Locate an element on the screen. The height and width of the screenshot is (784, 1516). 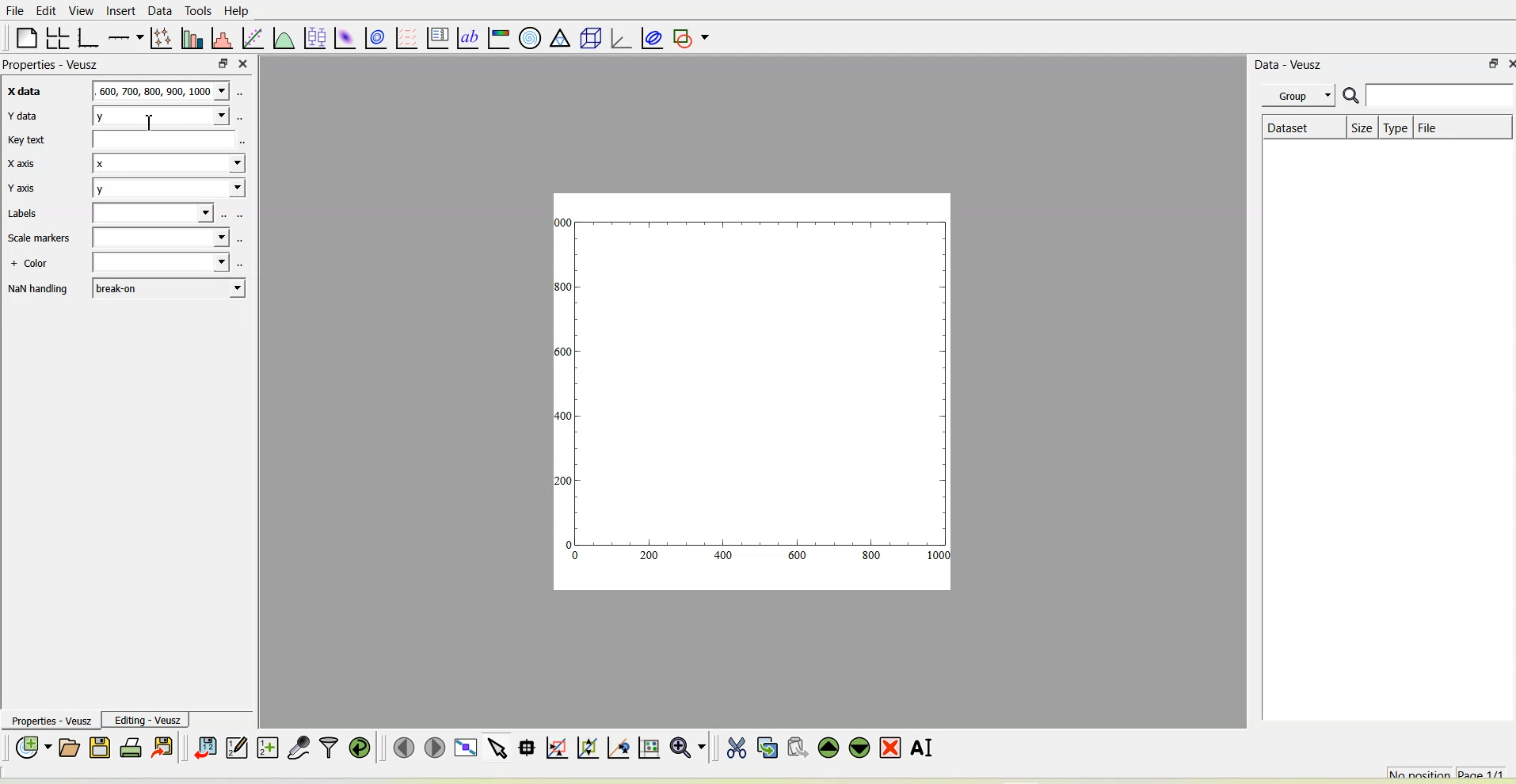
Page 1/1 is located at coordinates (1487, 772).